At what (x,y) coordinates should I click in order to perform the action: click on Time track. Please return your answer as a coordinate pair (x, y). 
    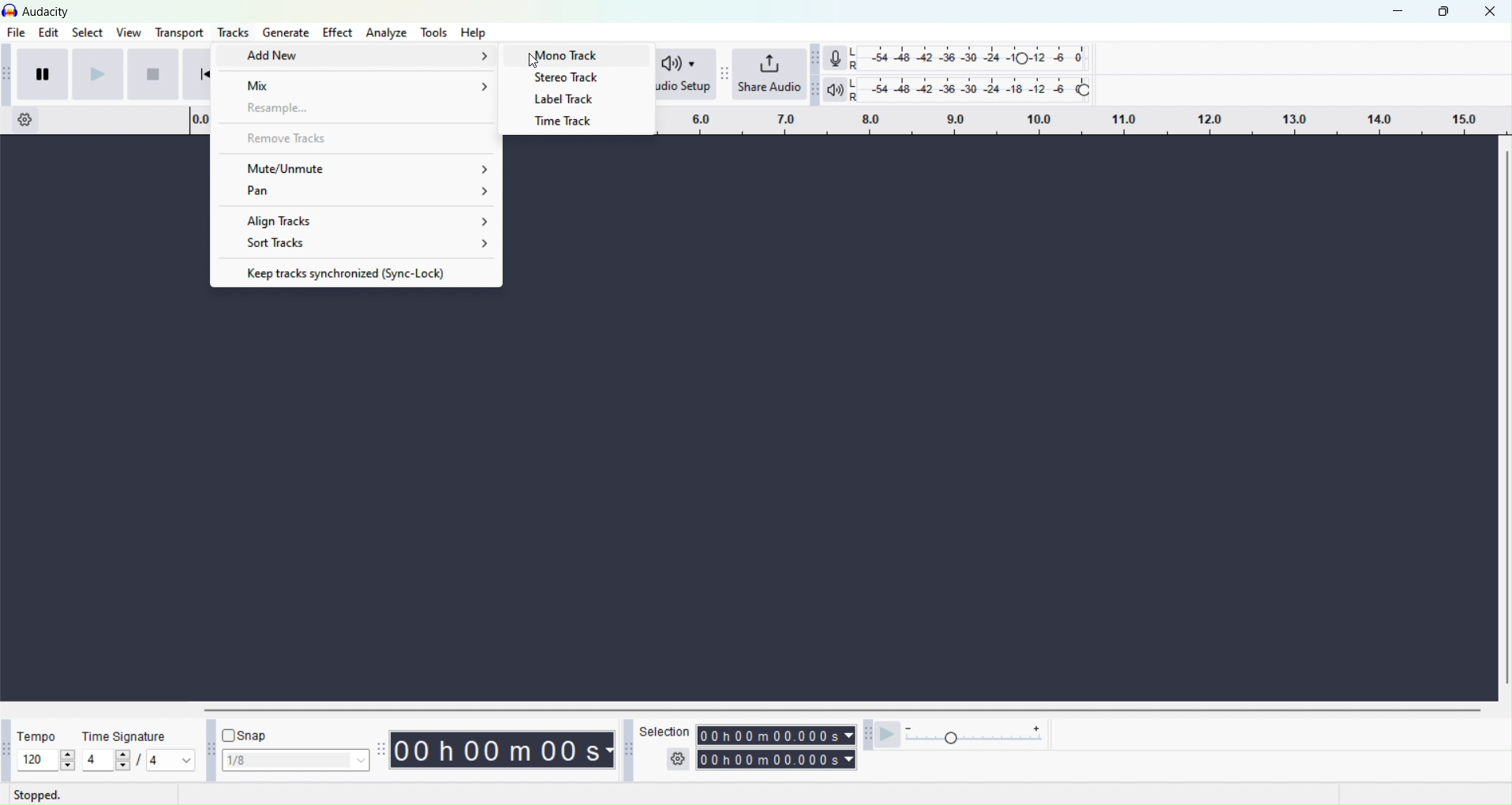
    Looking at the image, I should click on (568, 123).